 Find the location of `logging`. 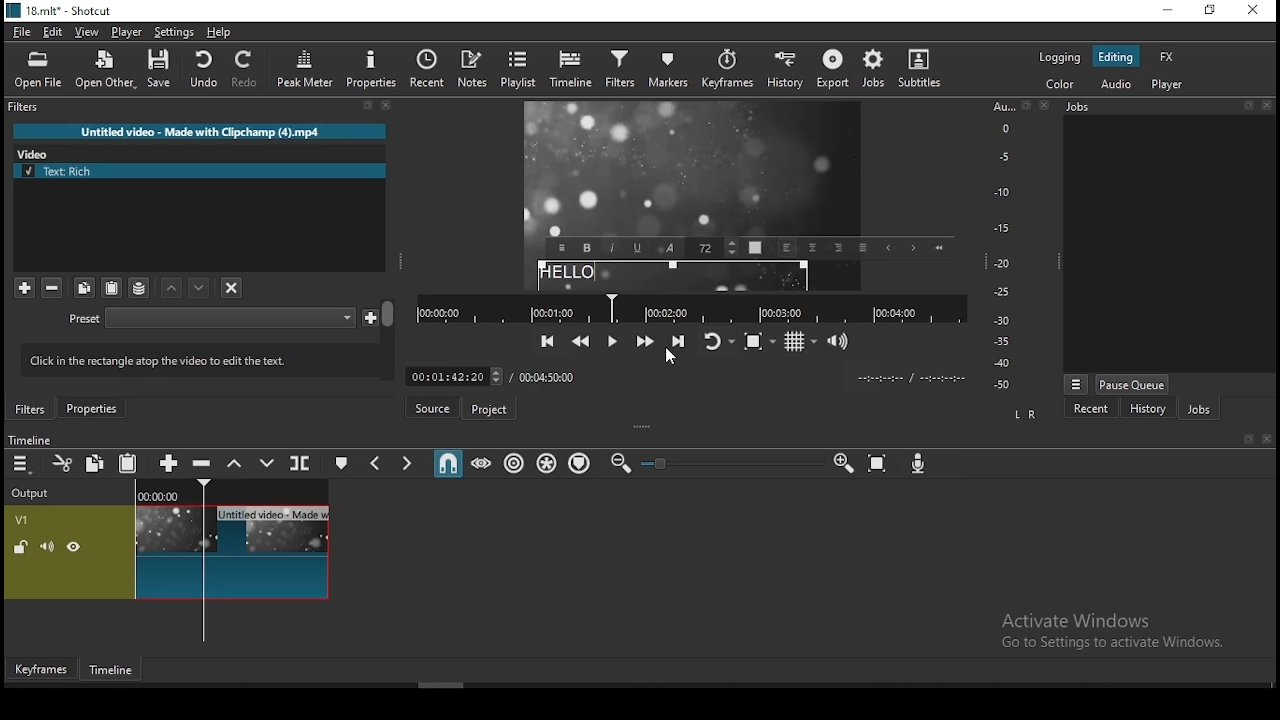

logging is located at coordinates (1061, 57).